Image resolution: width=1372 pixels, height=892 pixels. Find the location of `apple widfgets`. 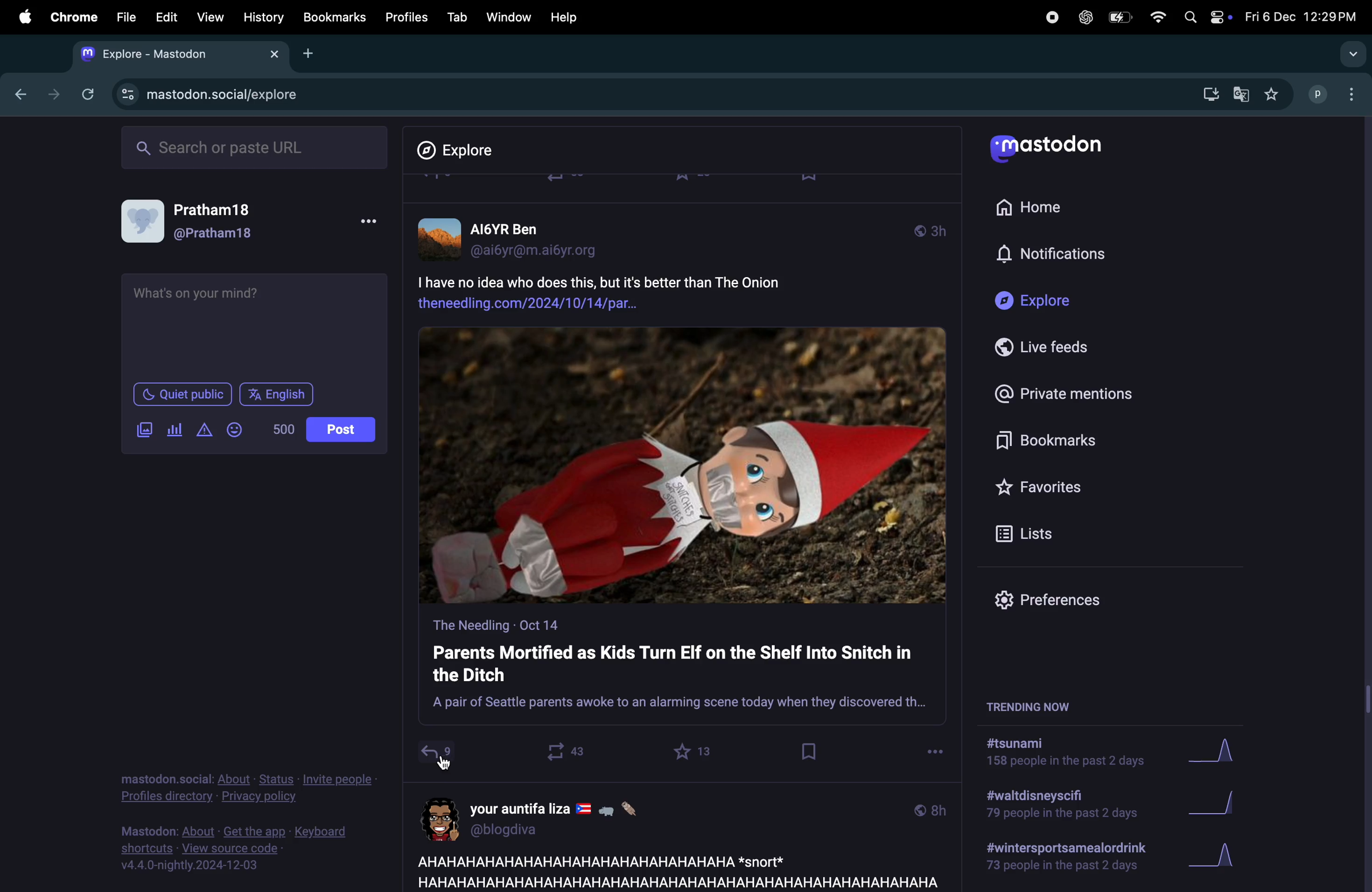

apple widfgets is located at coordinates (1205, 14).